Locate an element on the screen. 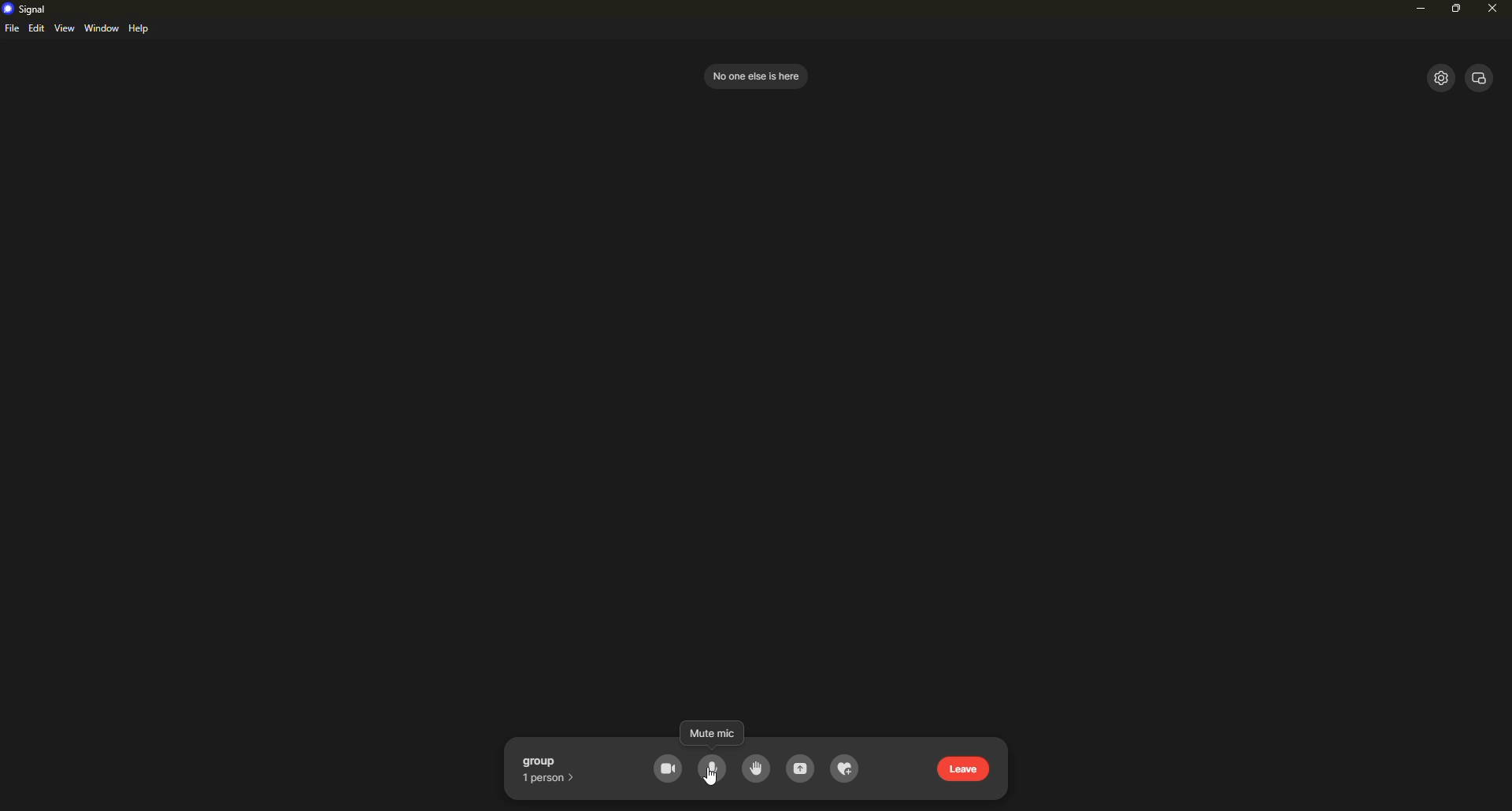  share screen is located at coordinates (801, 770).